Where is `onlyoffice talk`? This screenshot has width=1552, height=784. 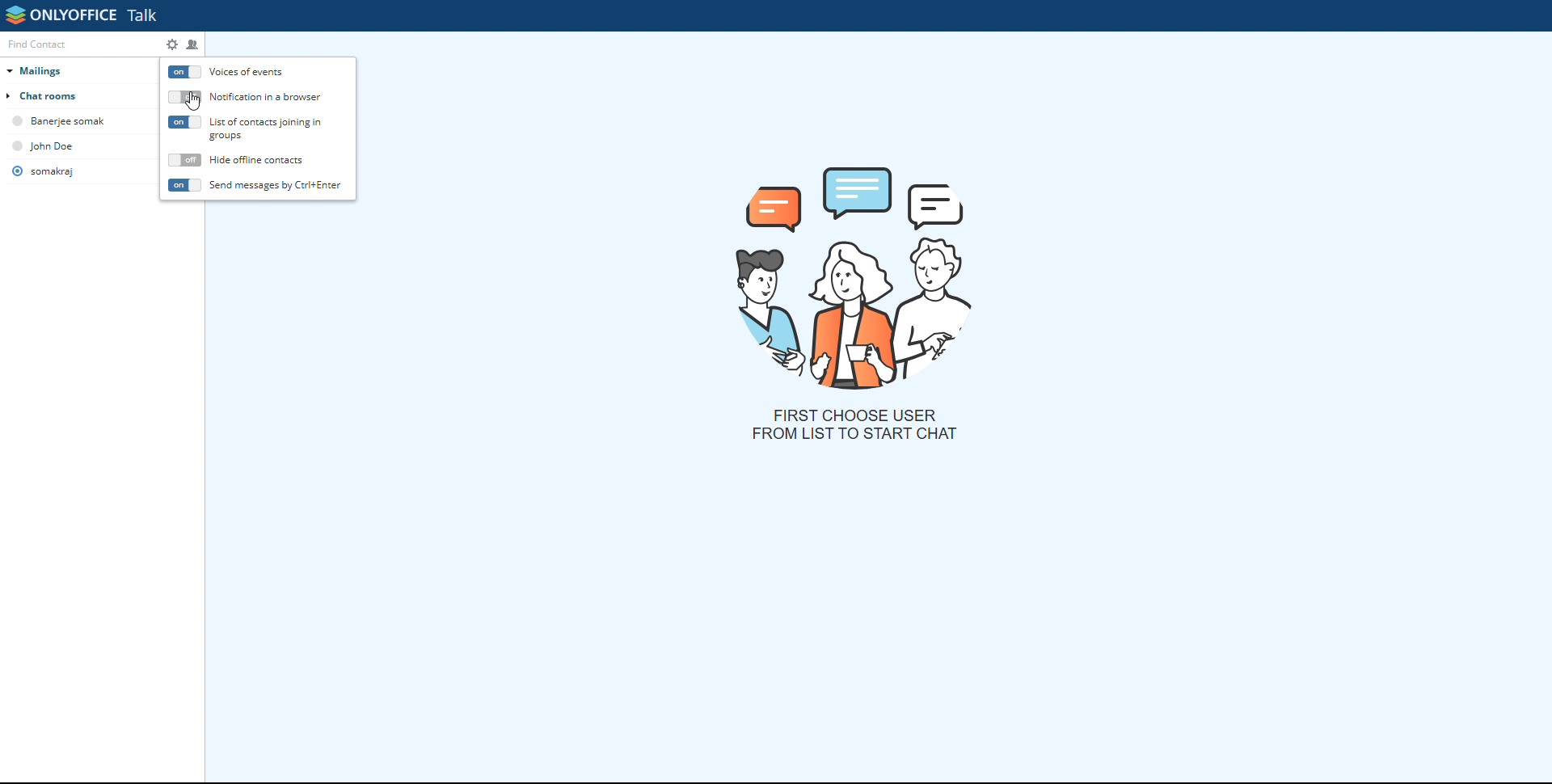
onlyoffice talk is located at coordinates (83, 15).